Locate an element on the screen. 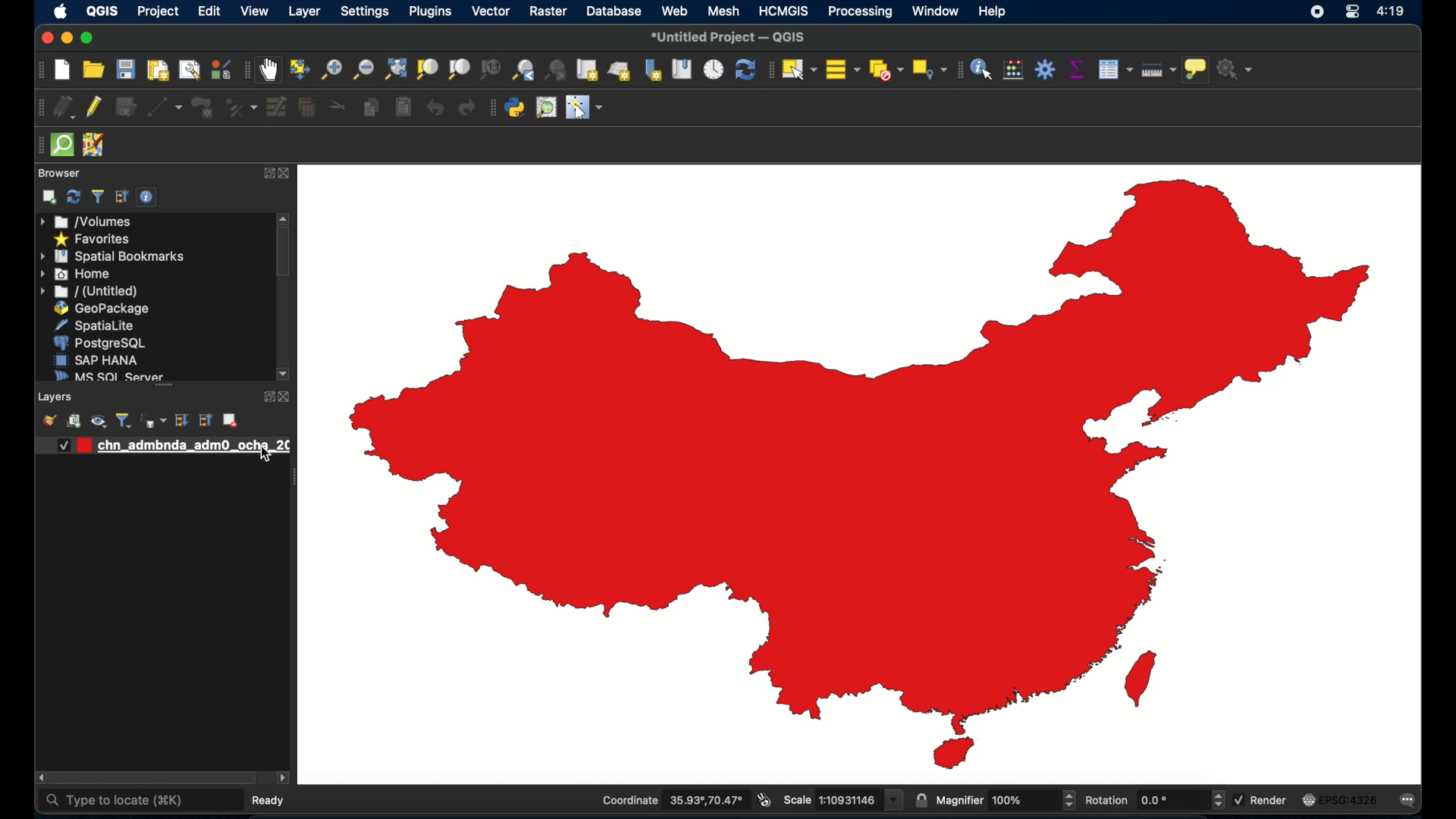  increase or decrease magnifier value is located at coordinates (1069, 800).